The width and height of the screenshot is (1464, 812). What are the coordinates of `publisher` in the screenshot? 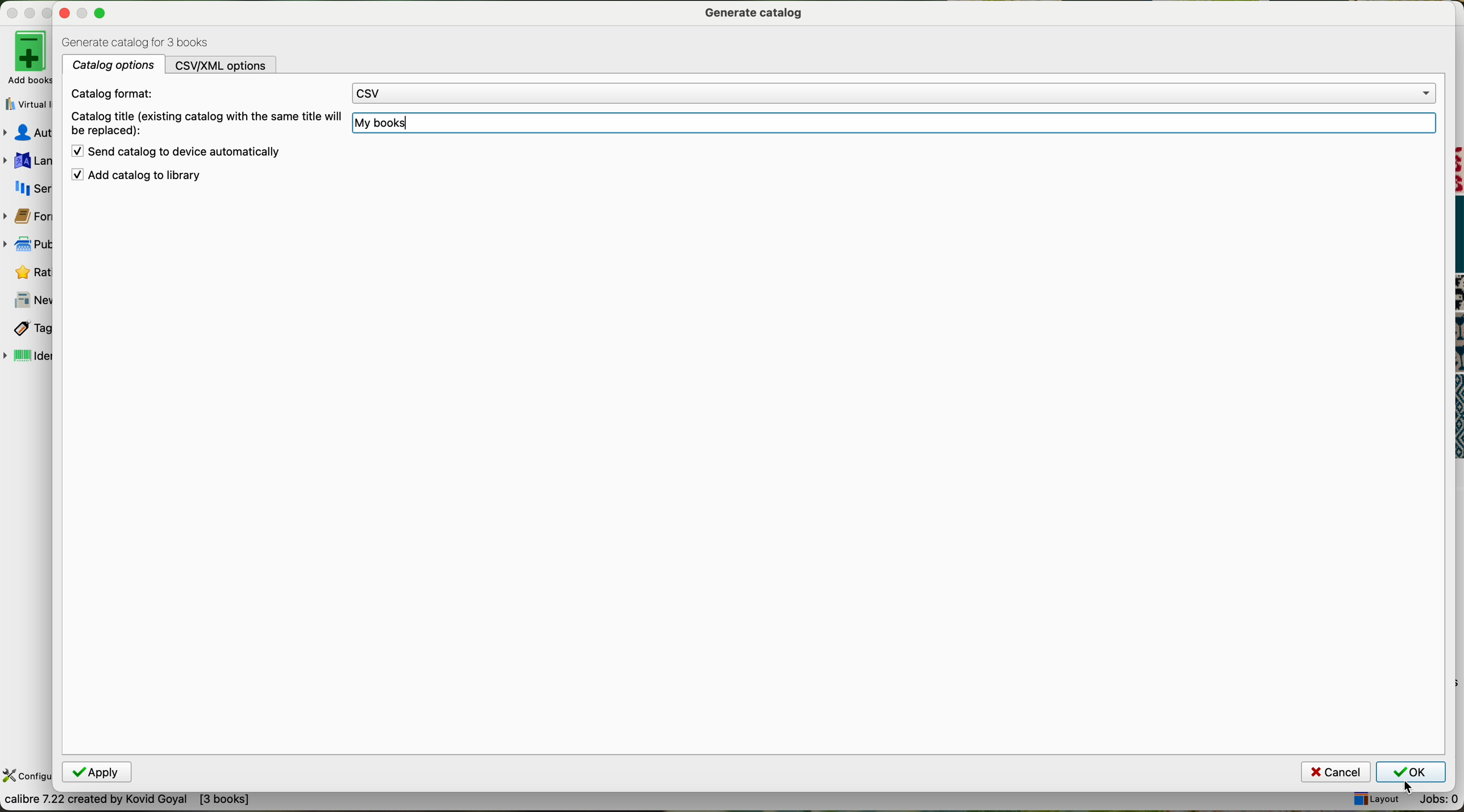 It's located at (26, 245).